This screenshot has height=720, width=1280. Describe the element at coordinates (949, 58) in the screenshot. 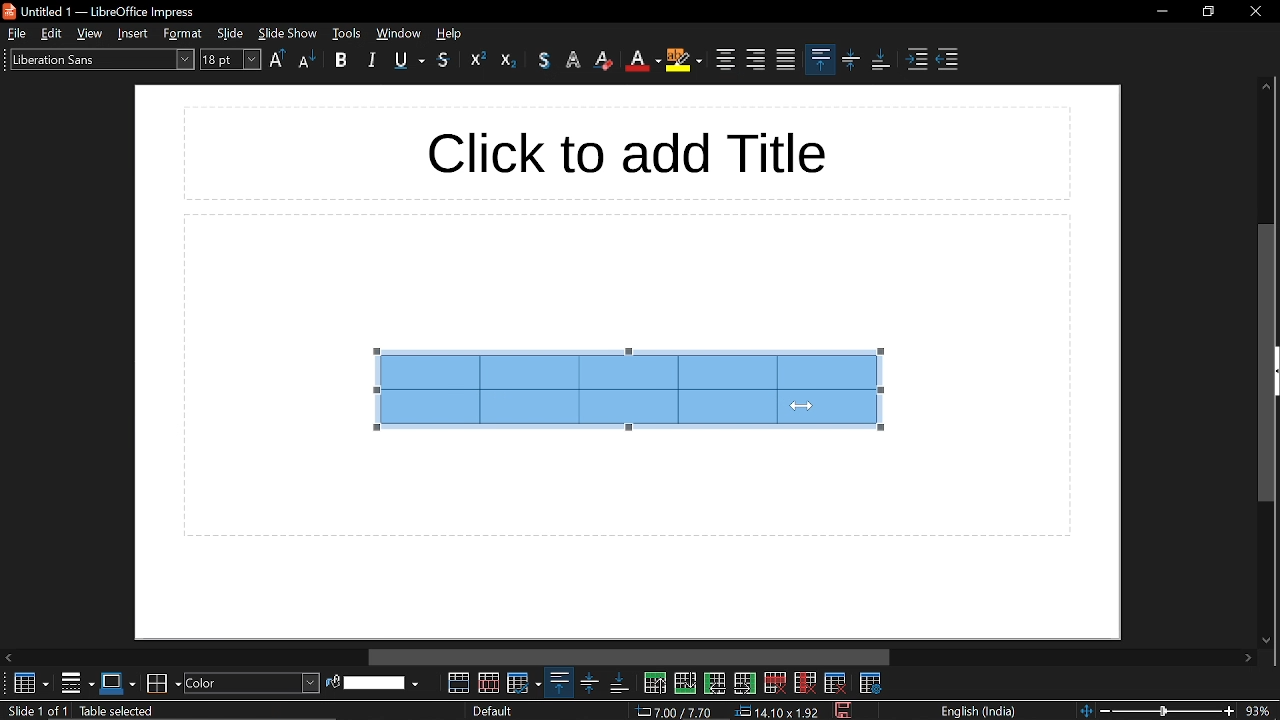

I see `decrease indent` at that location.